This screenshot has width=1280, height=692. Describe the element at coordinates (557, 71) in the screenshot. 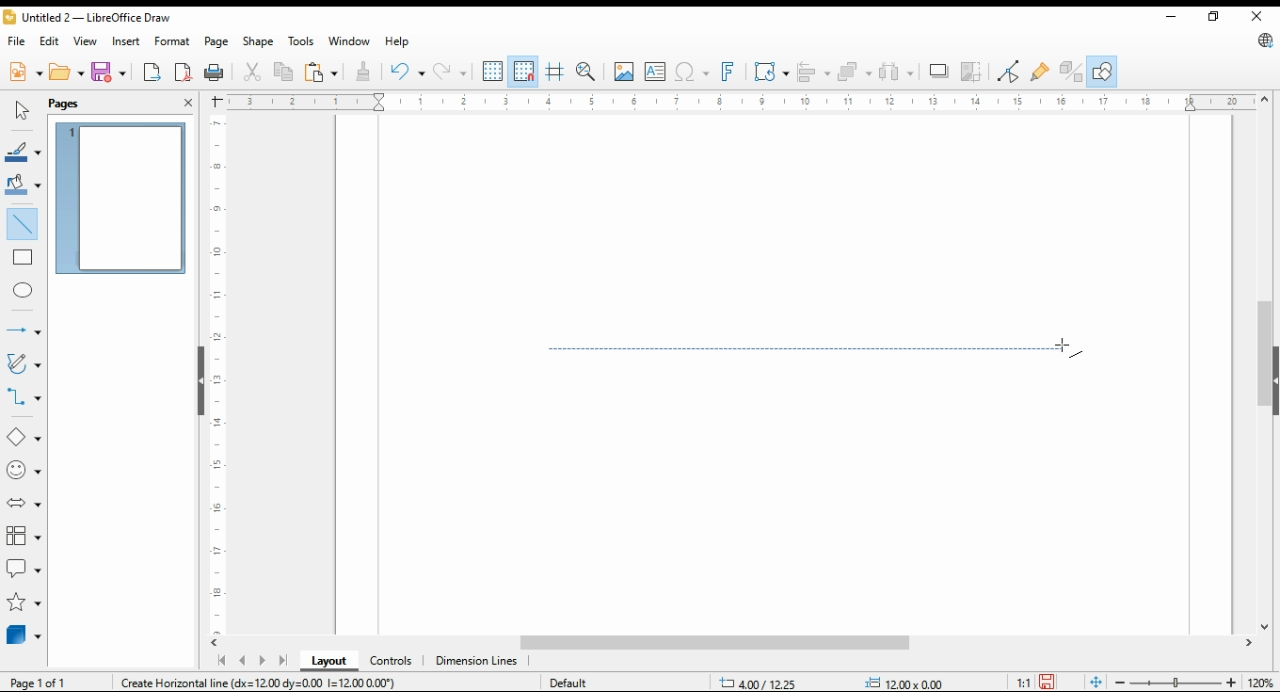

I see `helplines while moving` at that location.